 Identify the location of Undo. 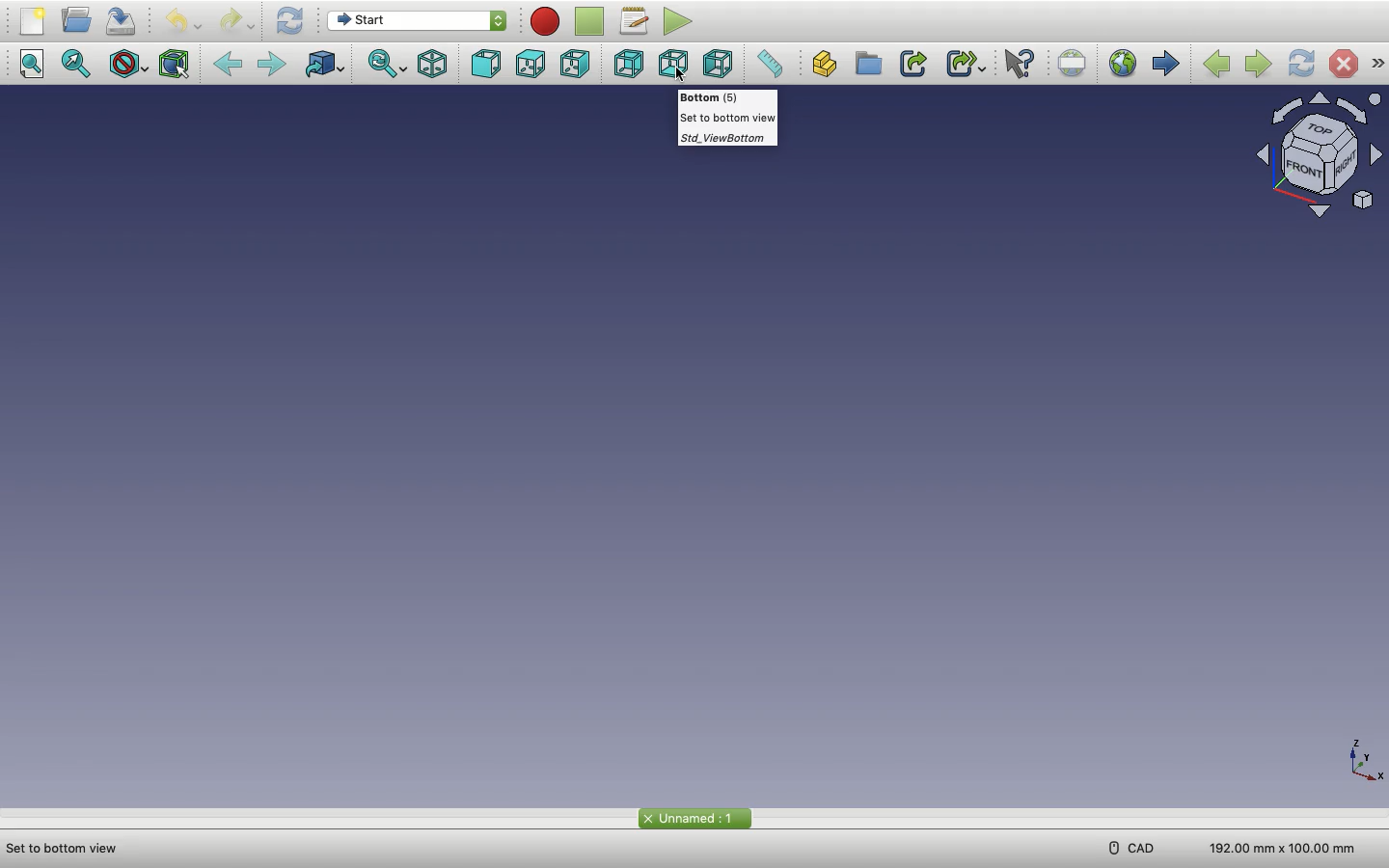
(184, 21).